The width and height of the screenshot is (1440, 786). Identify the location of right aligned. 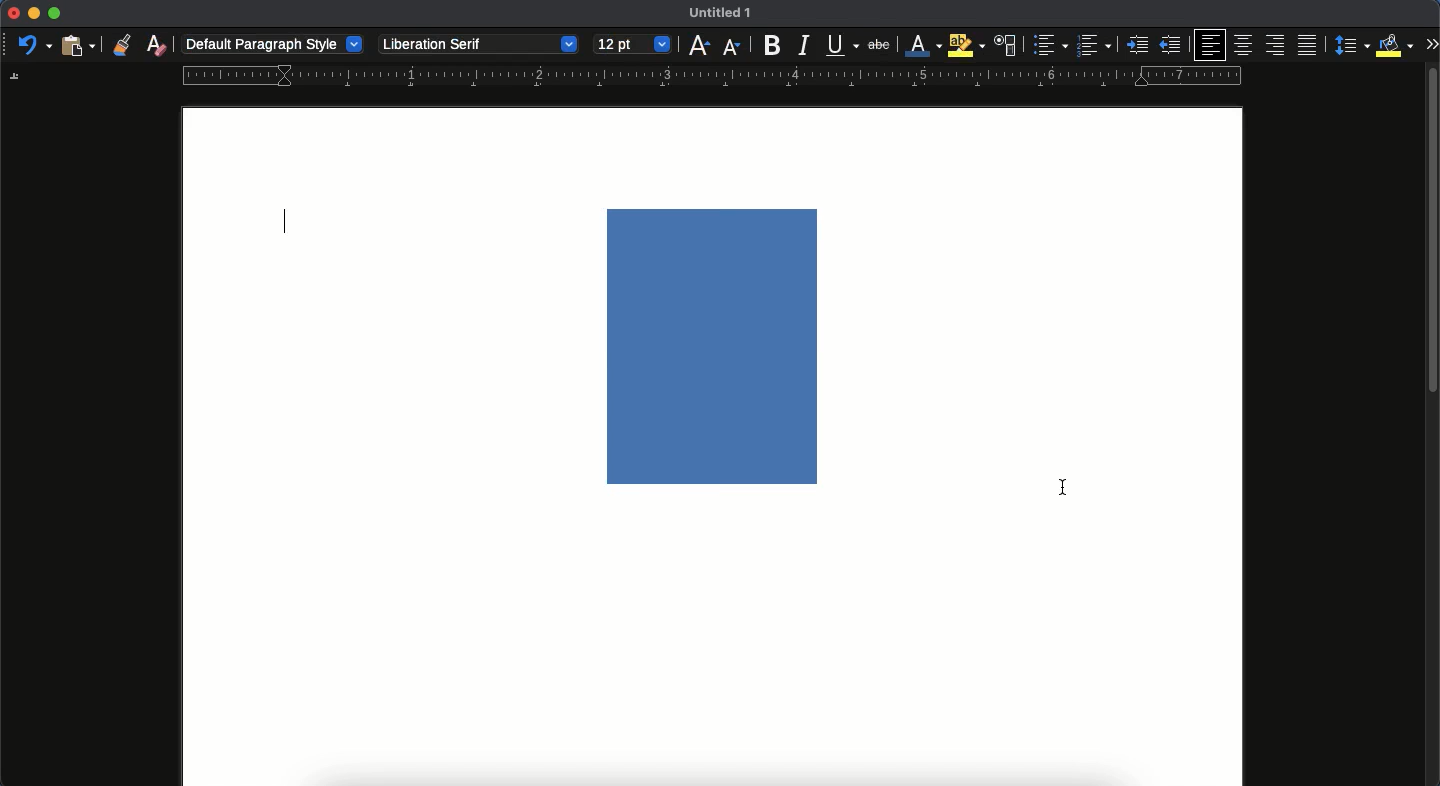
(1274, 46).